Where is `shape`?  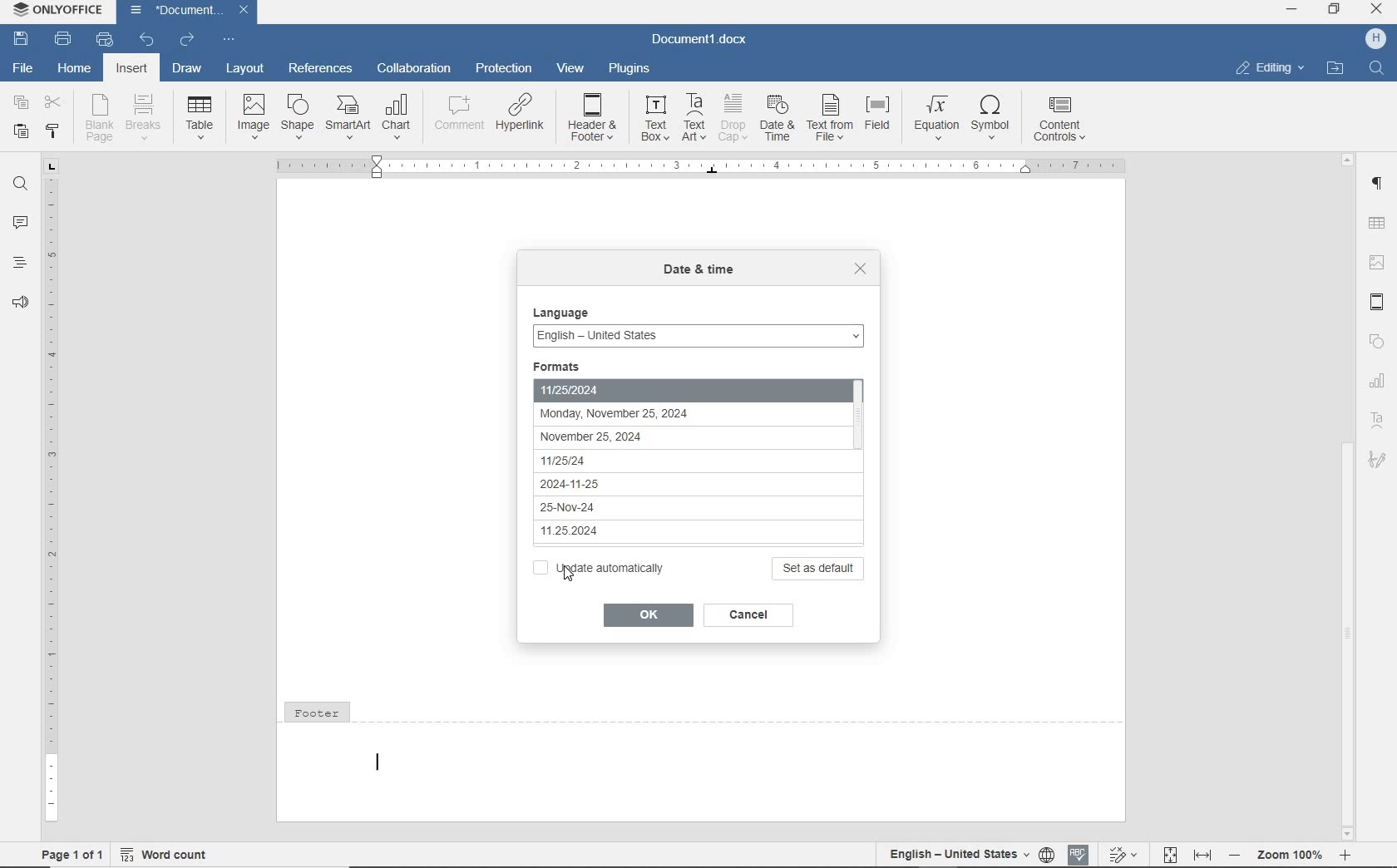
shape is located at coordinates (296, 116).